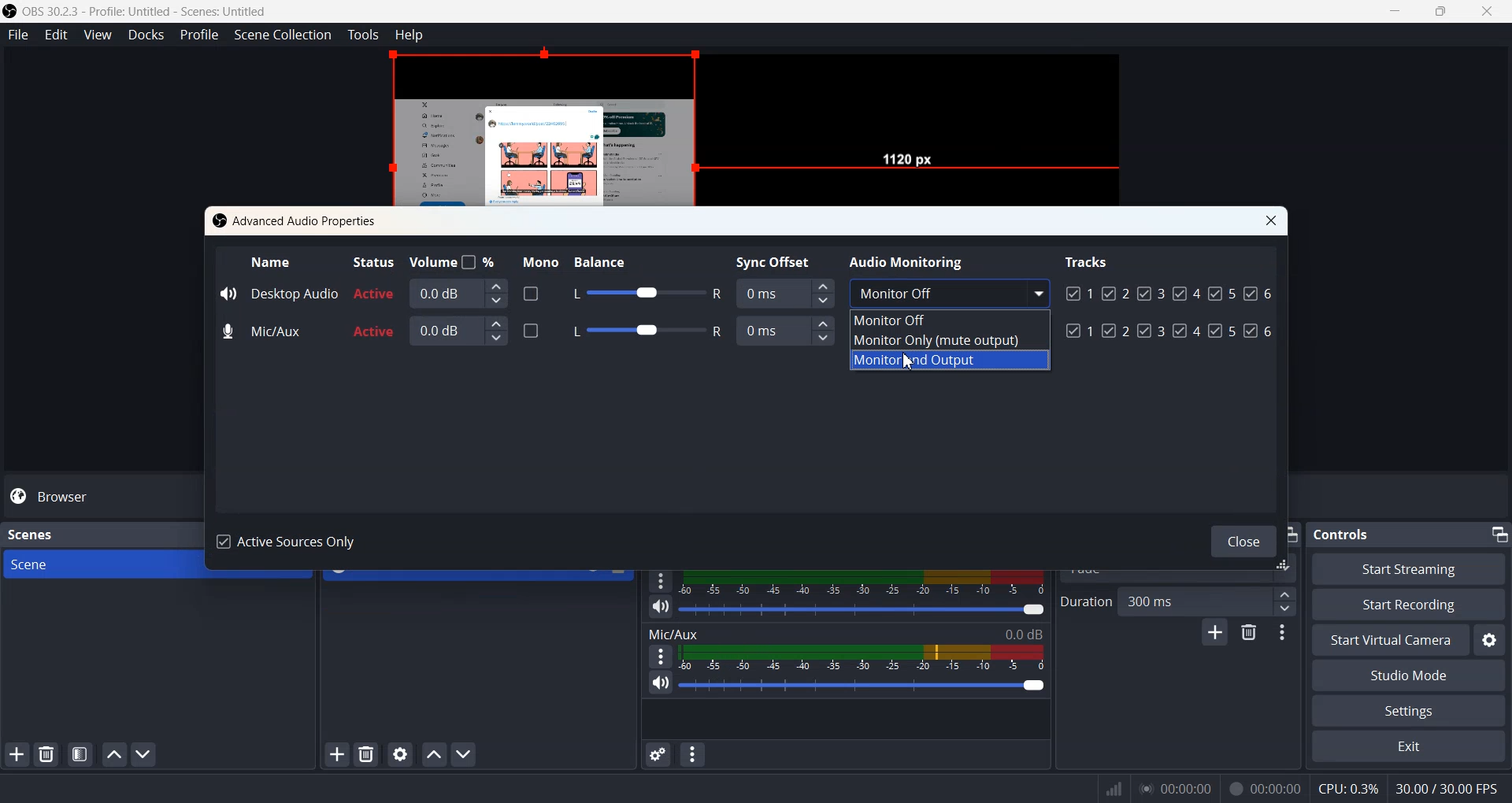 The height and width of the screenshot is (803, 1512). Describe the element at coordinates (364, 35) in the screenshot. I see `Tools` at that location.